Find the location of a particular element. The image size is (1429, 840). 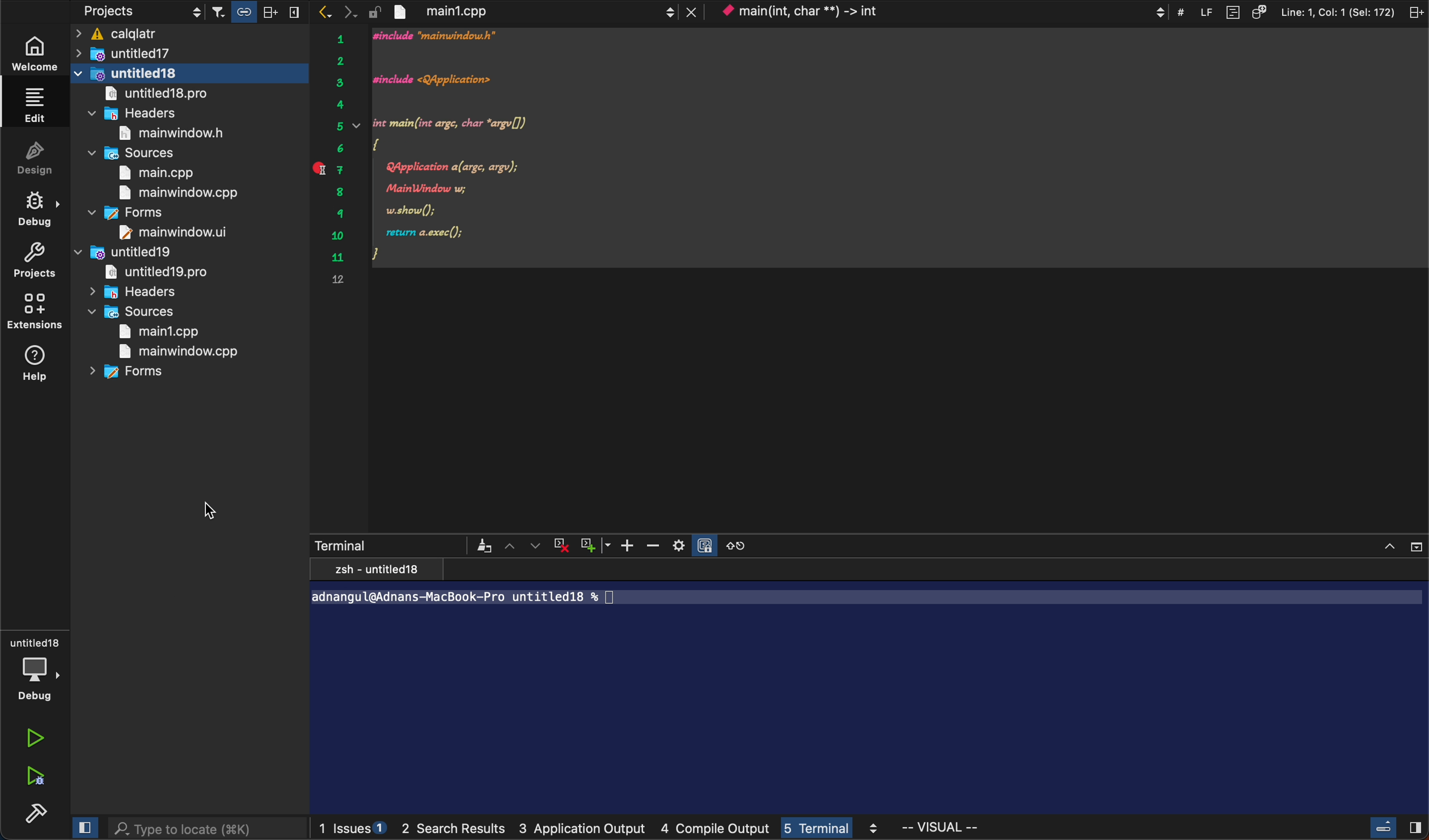

code is located at coordinates (897, 148).